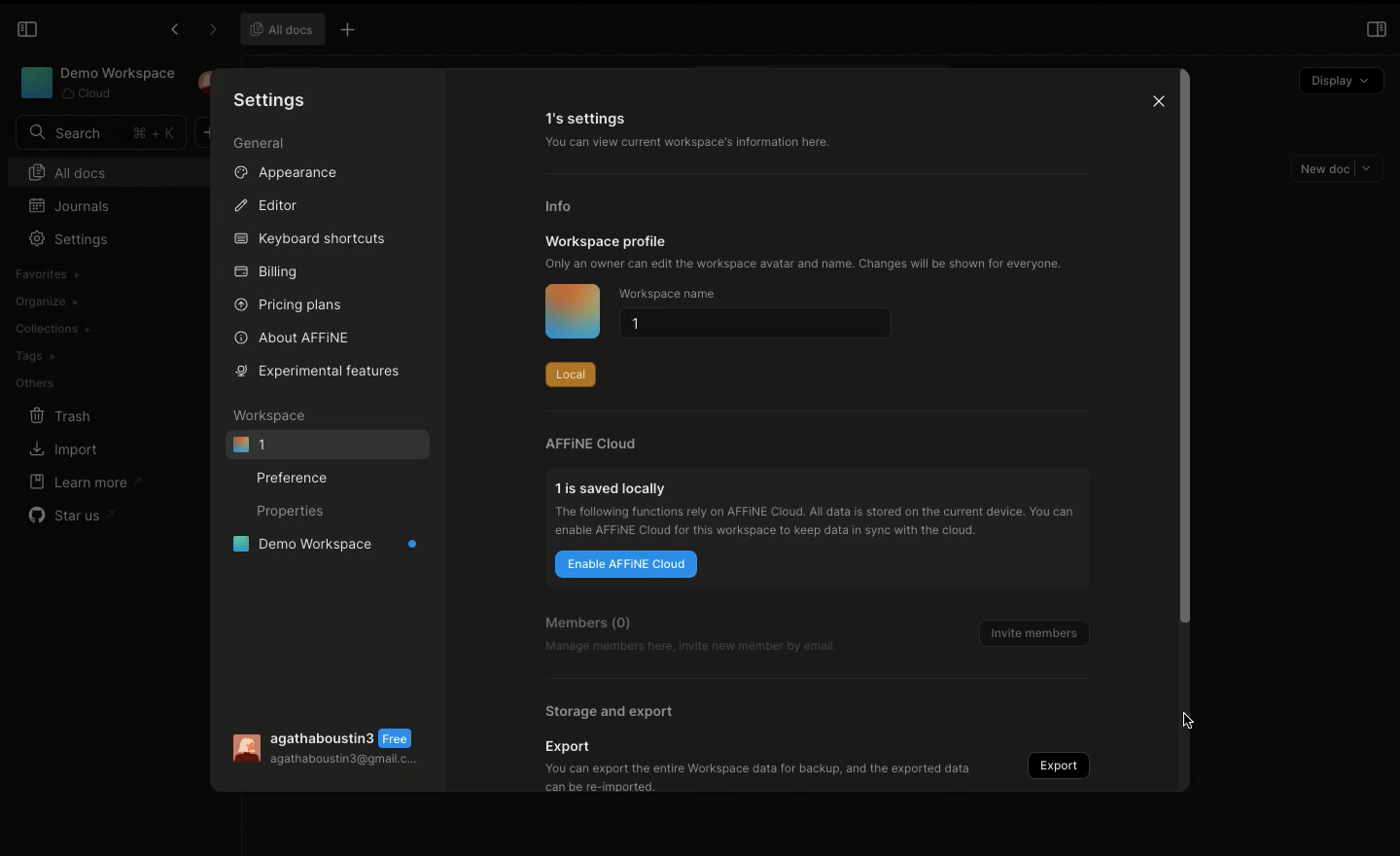 The width and height of the screenshot is (1400, 856). Describe the element at coordinates (1340, 78) in the screenshot. I see `Display` at that location.